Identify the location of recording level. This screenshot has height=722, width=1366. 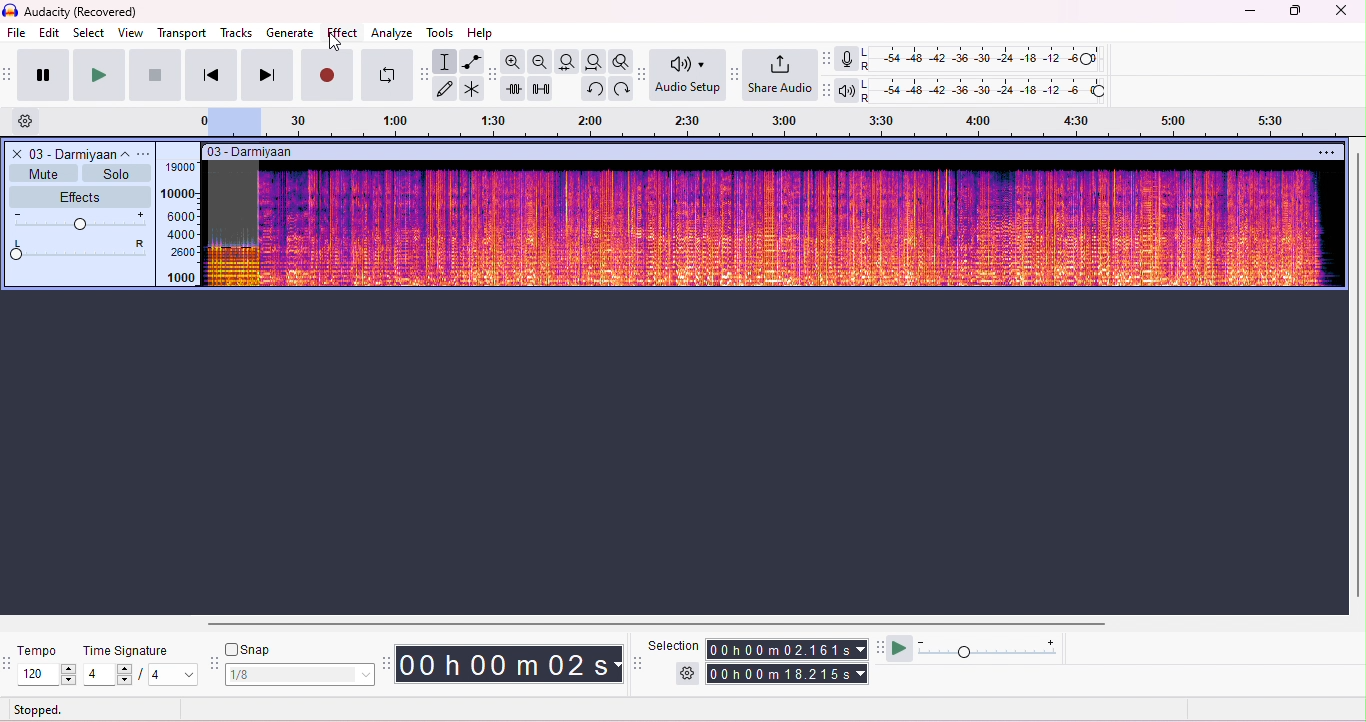
(987, 60).